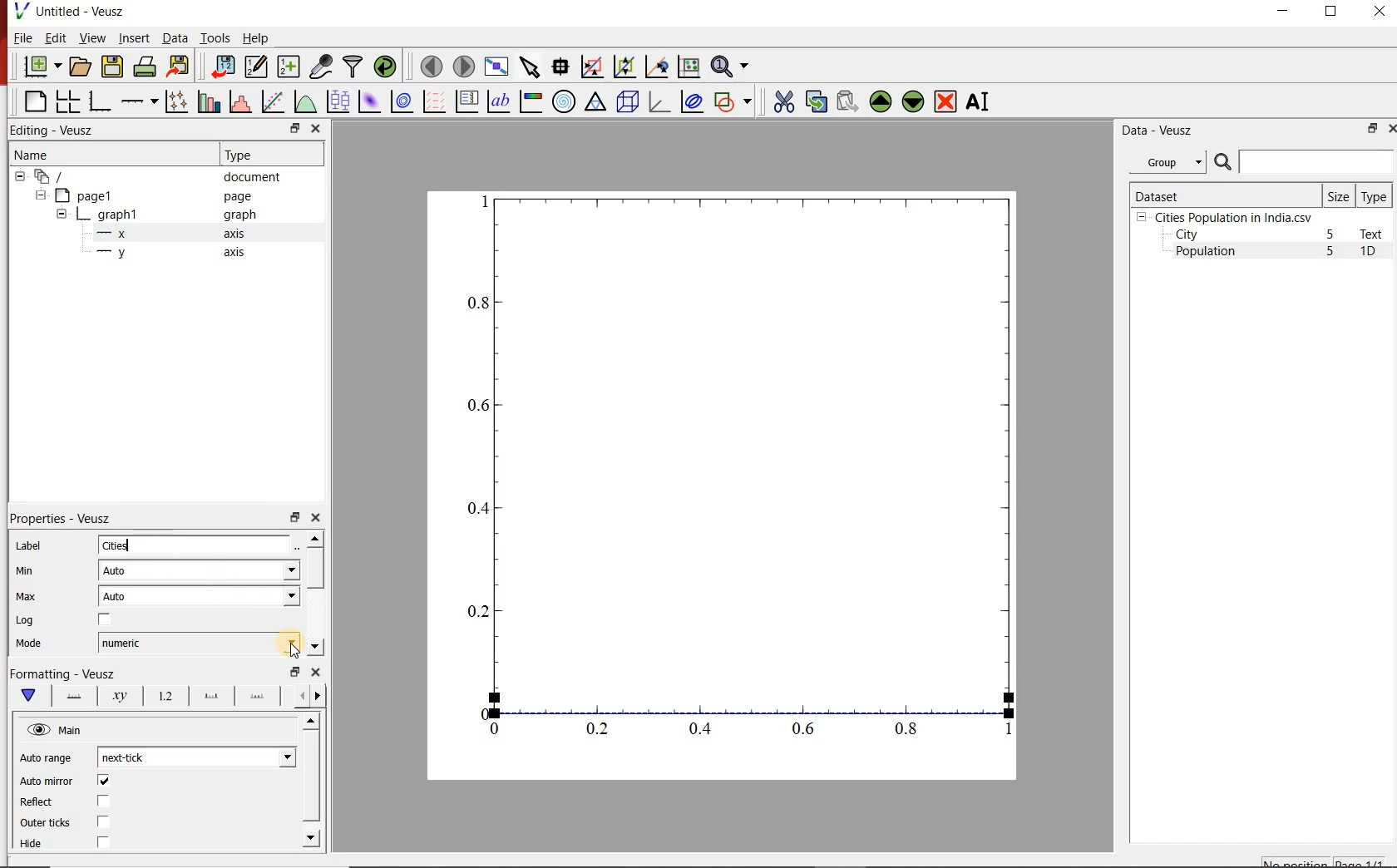 The height and width of the screenshot is (868, 1397). What do you see at coordinates (692, 102) in the screenshot?
I see `plot covariance ellipses` at bounding box center [692, 102].